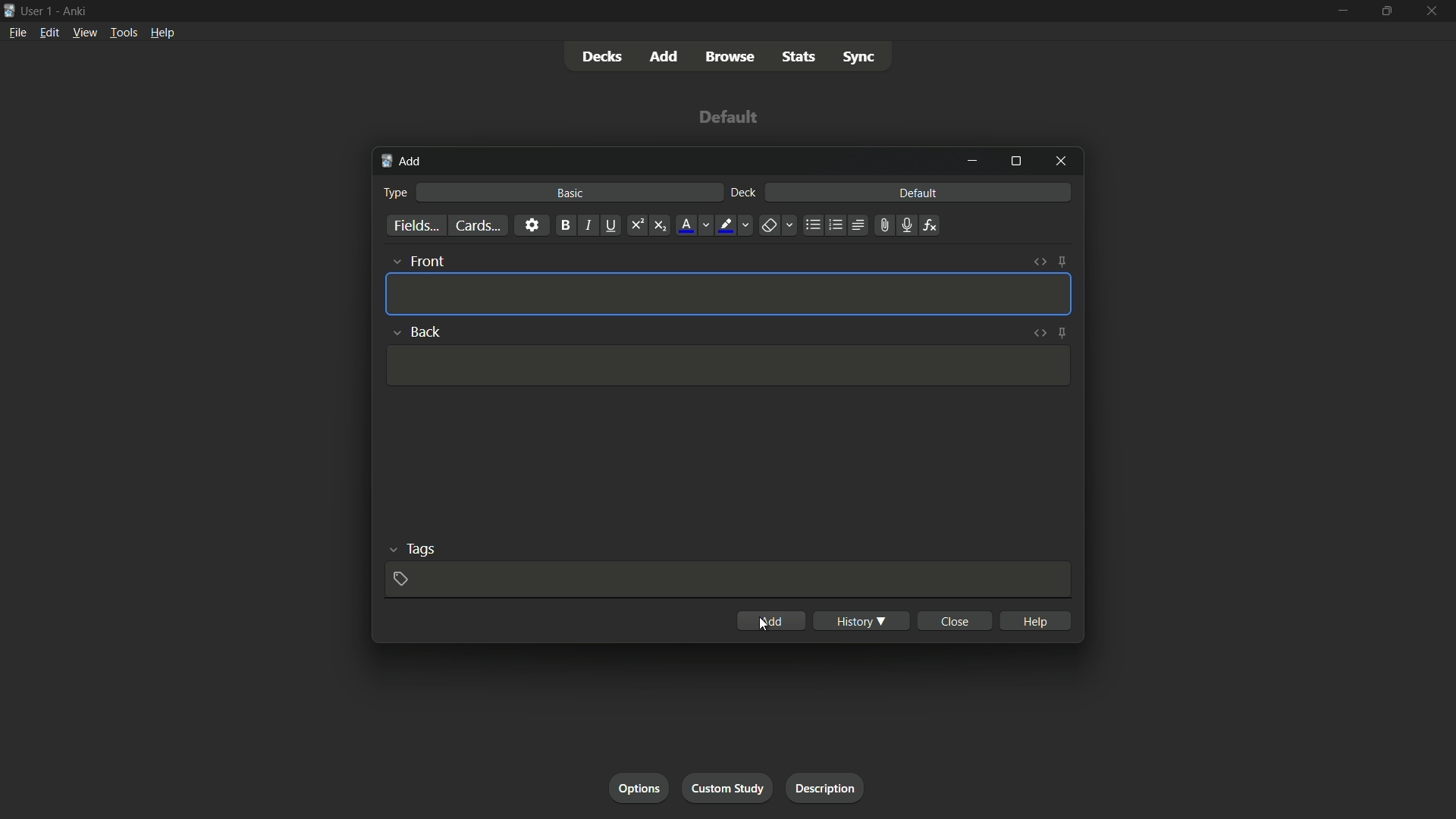 This screenshot has height=819, width=1456. I want to click on underline, so click(611, 225).